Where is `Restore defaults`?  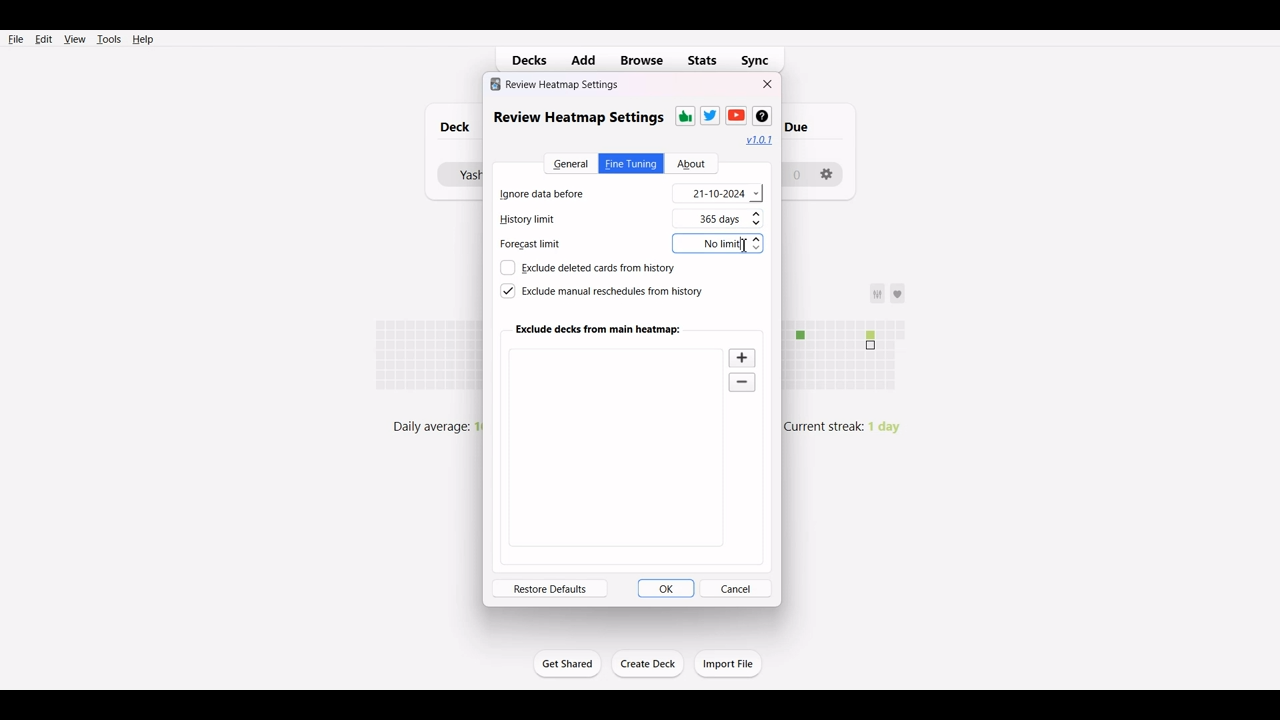 Restore defaults is located at coordinates (550, 588).